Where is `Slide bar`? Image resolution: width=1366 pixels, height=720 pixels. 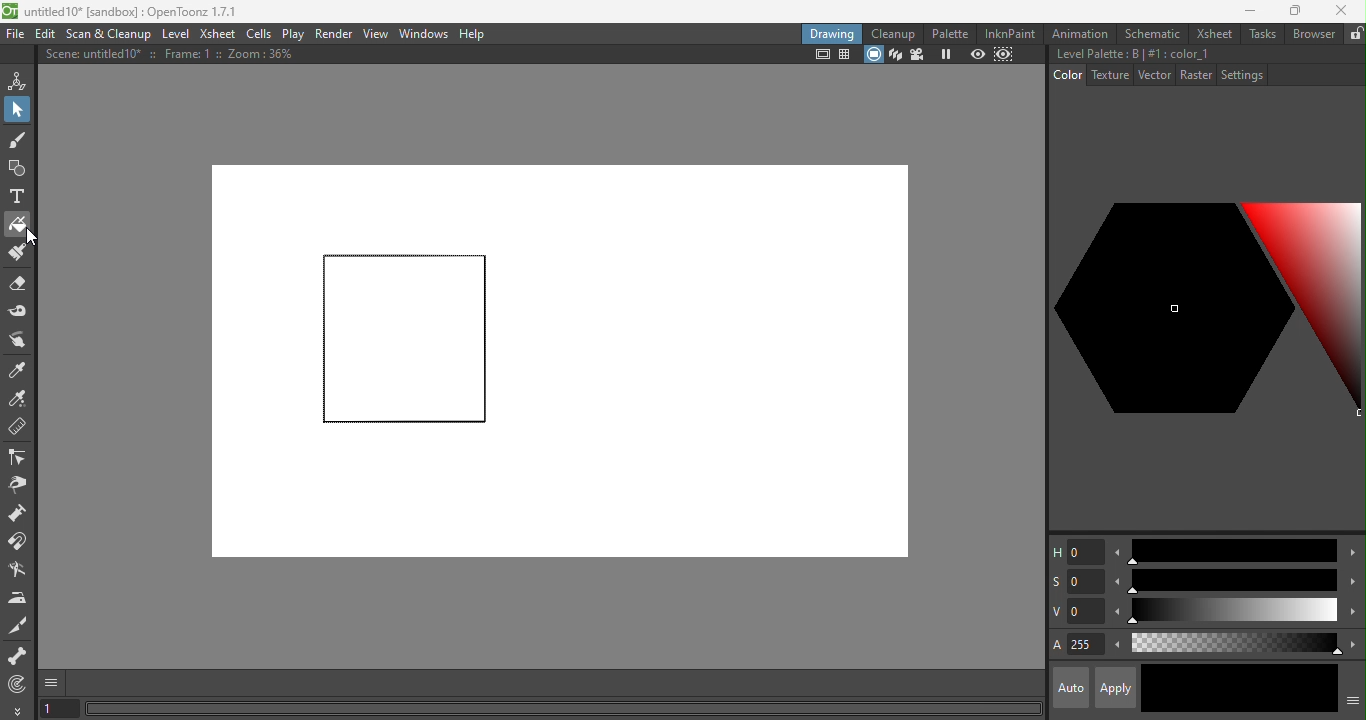 Slide bar is located at coordinates (1231, 551).